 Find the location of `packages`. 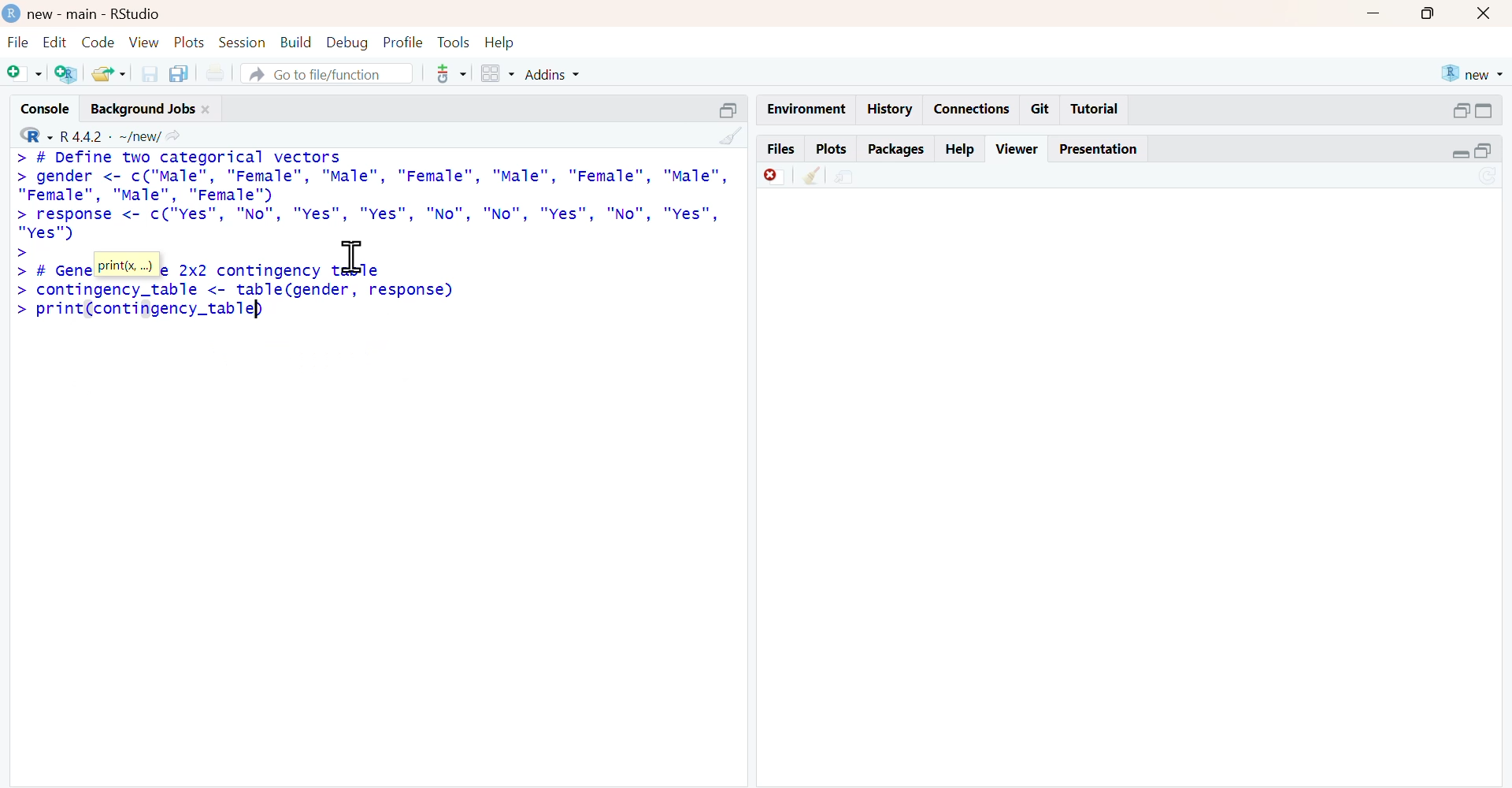

packages is located at coordinates (898, 150).